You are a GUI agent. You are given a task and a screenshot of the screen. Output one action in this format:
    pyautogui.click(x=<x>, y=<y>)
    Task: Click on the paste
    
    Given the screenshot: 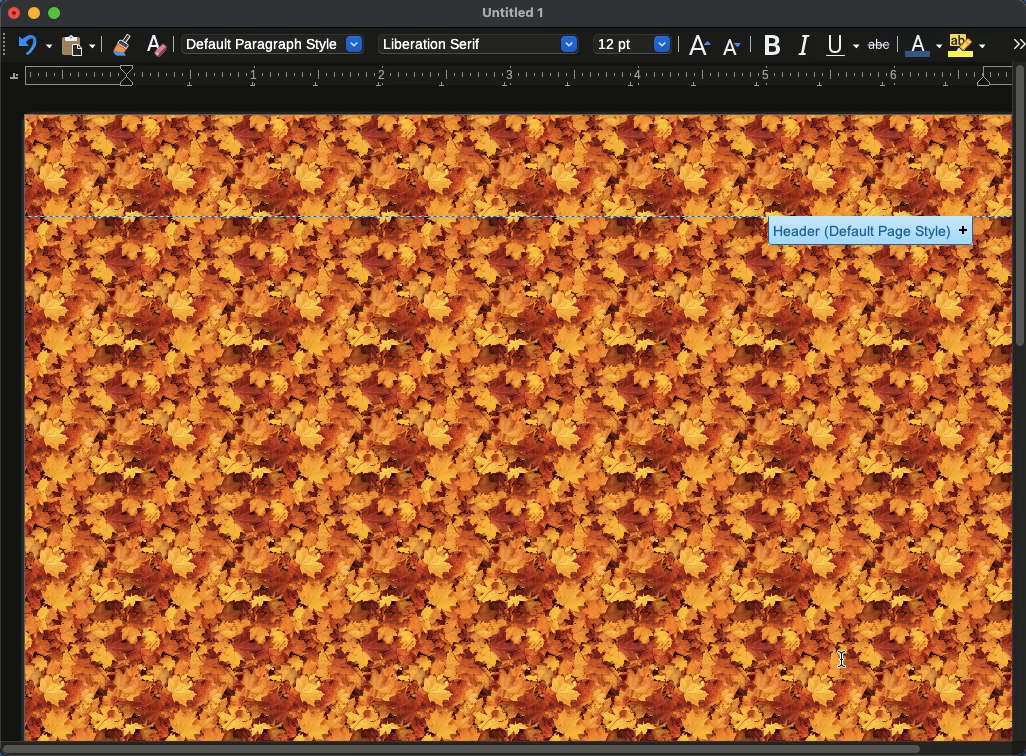 What is the action you would take?
    pyautogui.click(x=78, y=44)
    